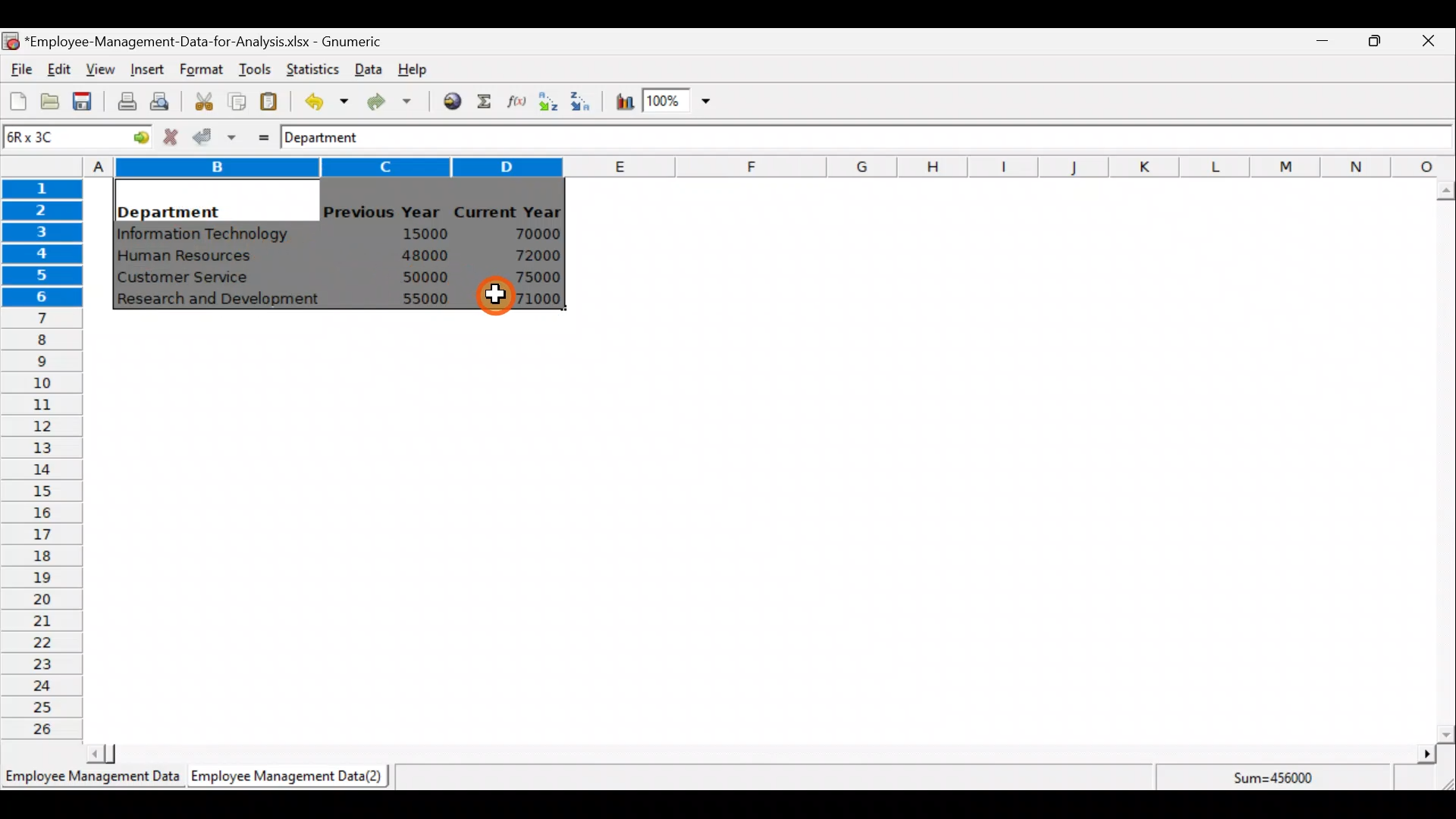 The width and height of the screenshot is (1456, 819). I want to click on Minimize, so click(1319, 44).